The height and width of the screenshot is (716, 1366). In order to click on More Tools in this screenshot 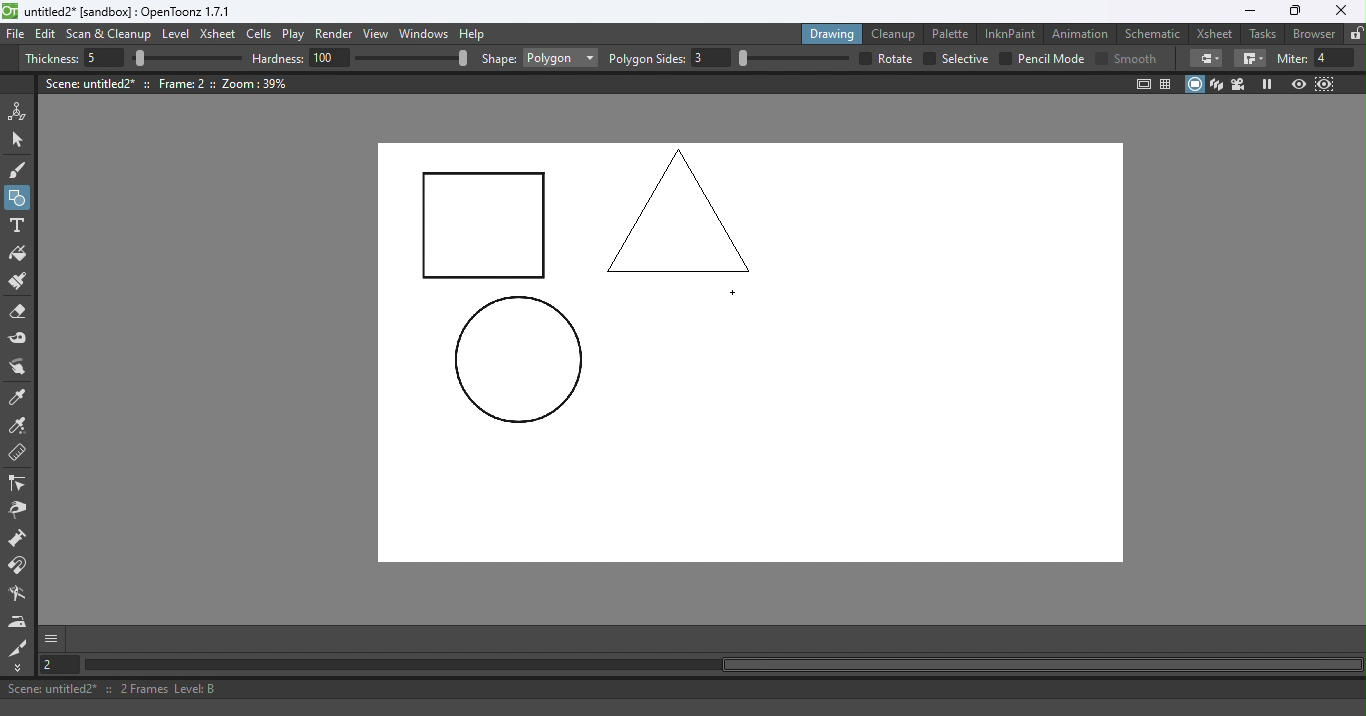, I will do `click(19, 668)`.